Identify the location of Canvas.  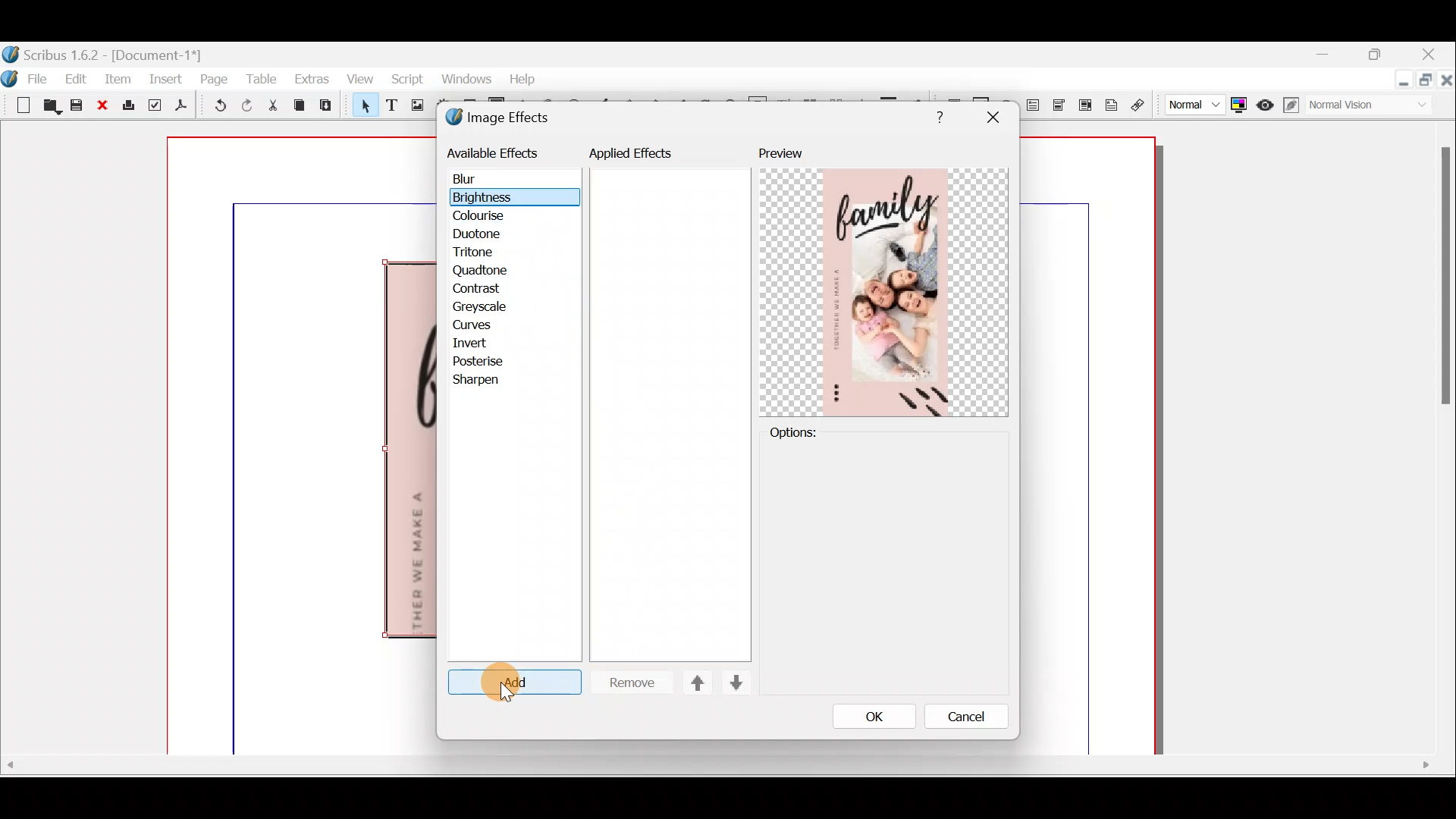
(303, 447).